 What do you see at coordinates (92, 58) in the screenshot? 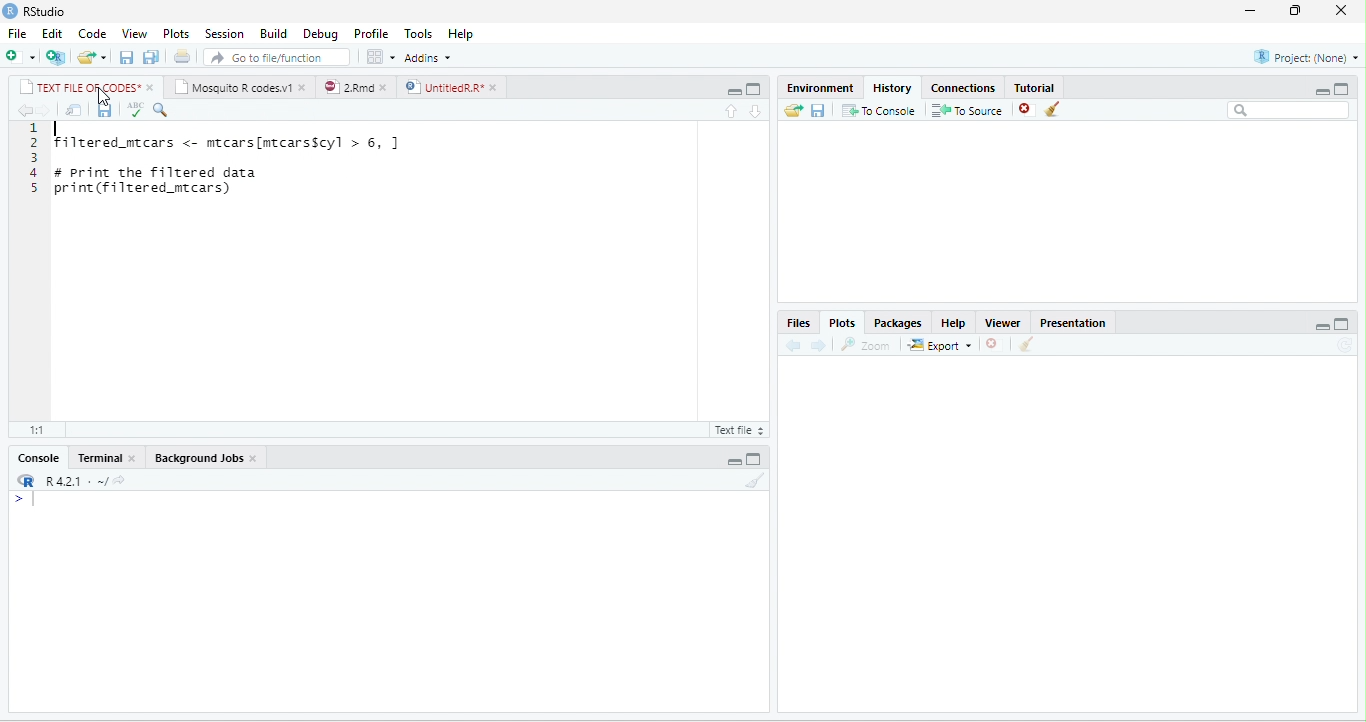
I see `open file` at bounding box center [92, 58].